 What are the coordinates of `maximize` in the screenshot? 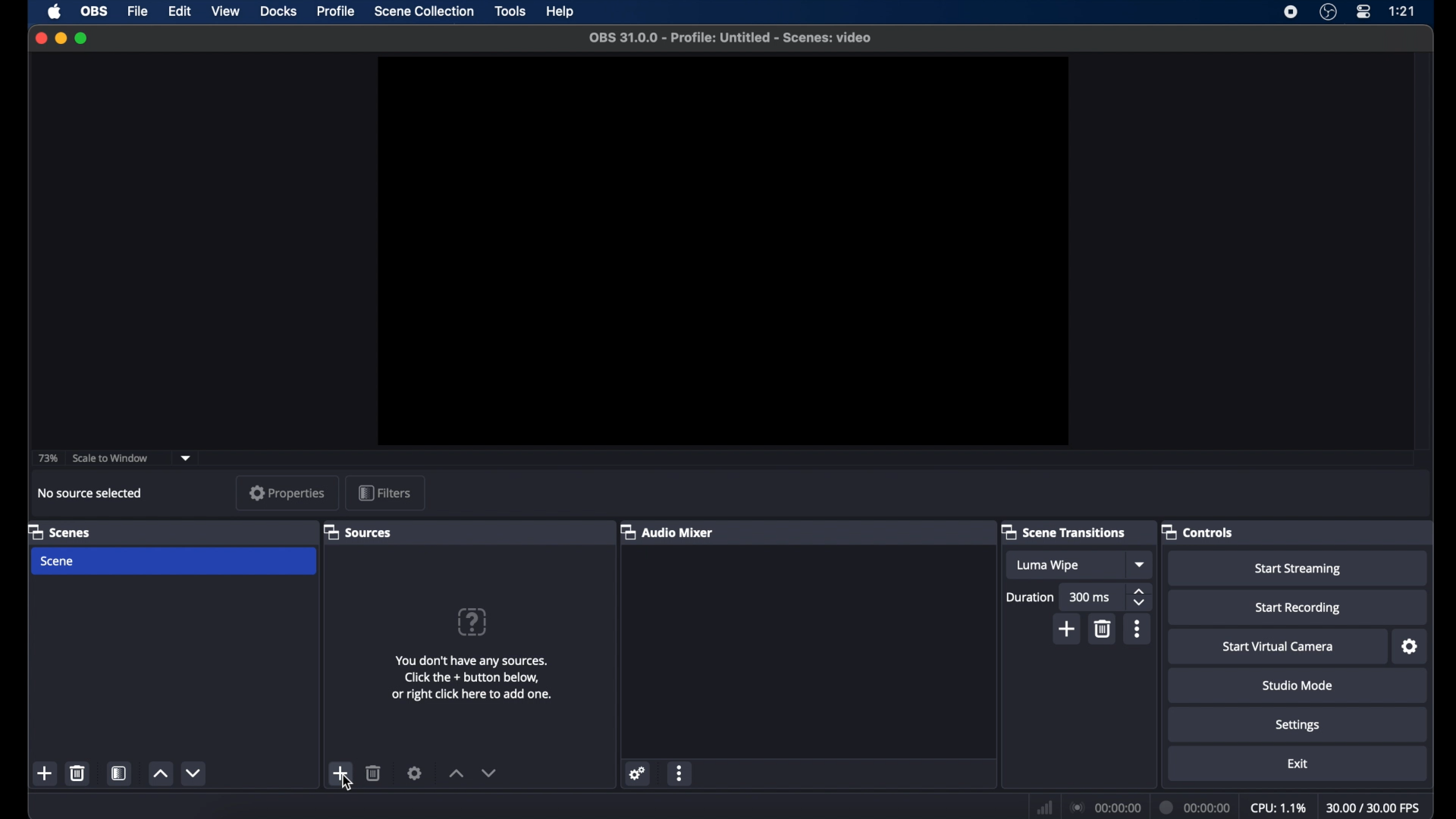 It's located at (82, 38).